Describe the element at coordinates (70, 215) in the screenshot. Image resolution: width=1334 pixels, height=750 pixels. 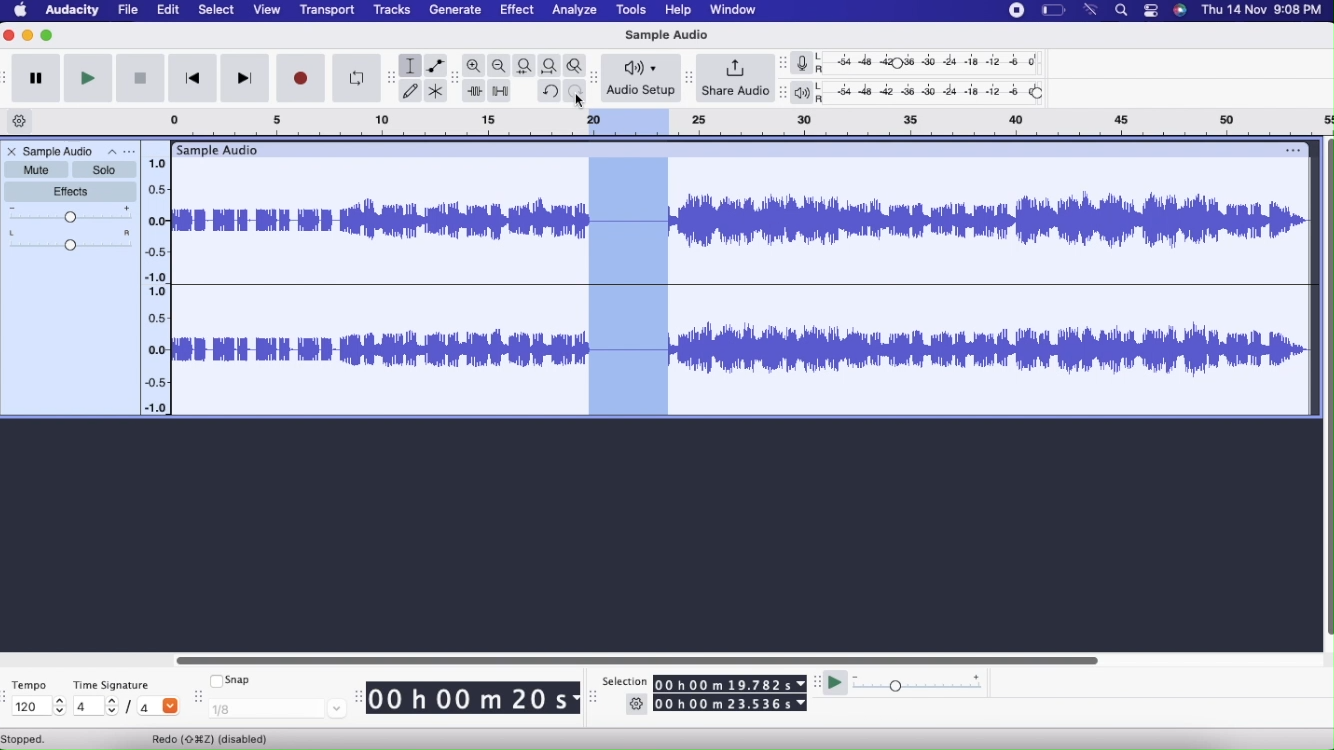
I see `Gain Slider` at that location.